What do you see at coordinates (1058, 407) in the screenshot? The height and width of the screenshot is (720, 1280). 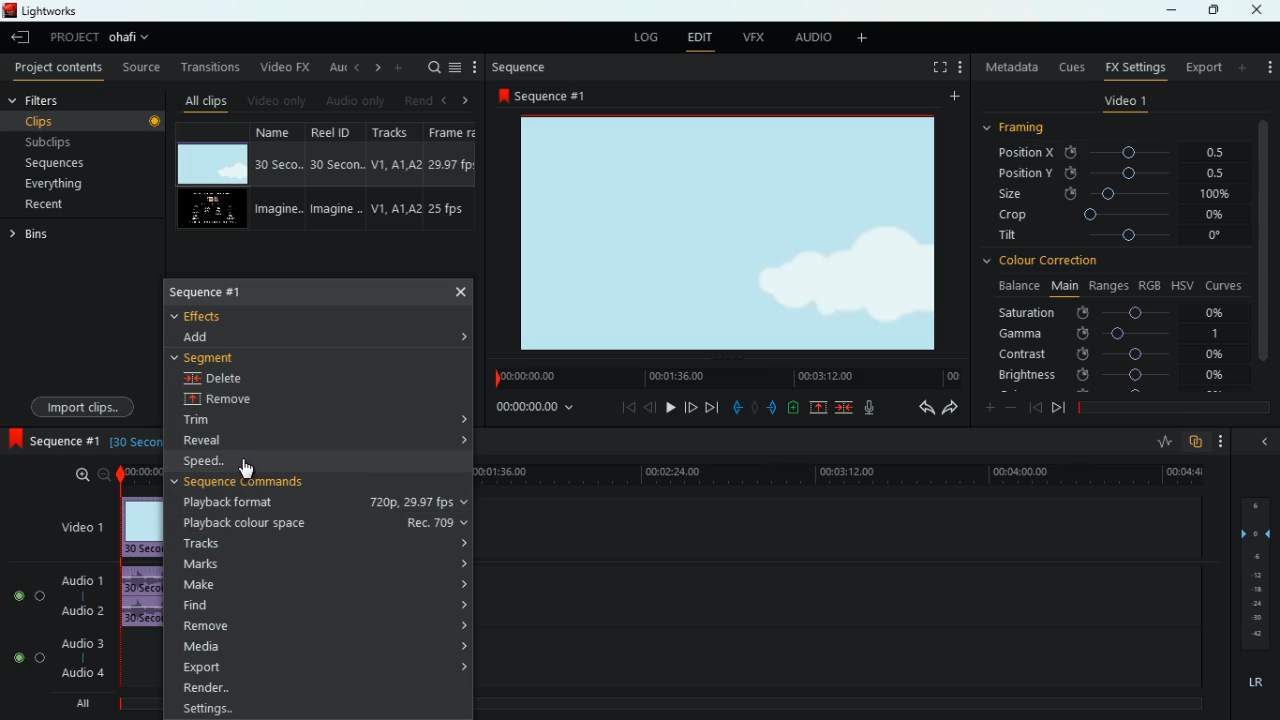 I see `end` at bounding box center [1058, 407].